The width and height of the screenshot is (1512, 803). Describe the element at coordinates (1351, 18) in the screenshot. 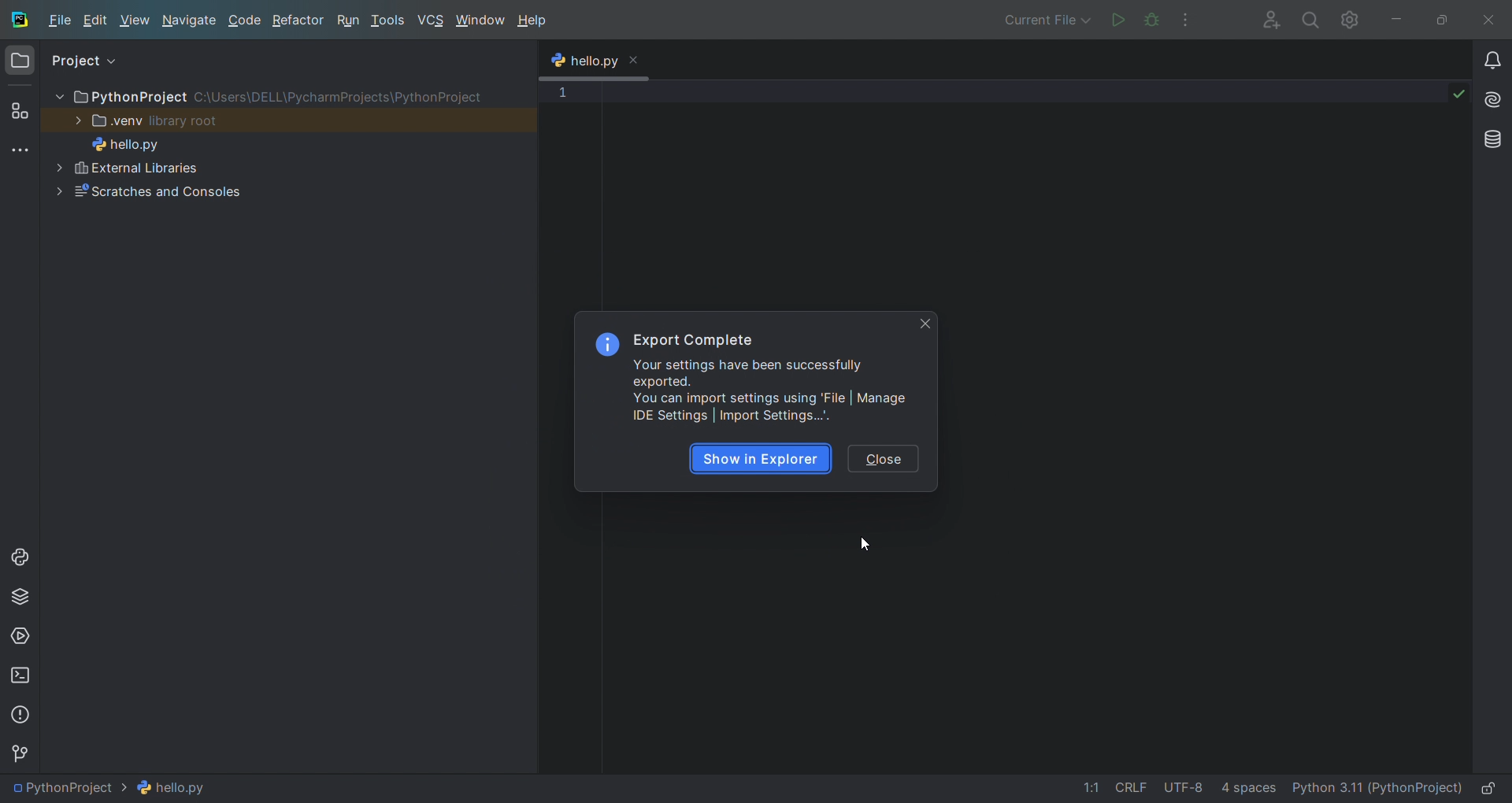

I see `settings` at that location.